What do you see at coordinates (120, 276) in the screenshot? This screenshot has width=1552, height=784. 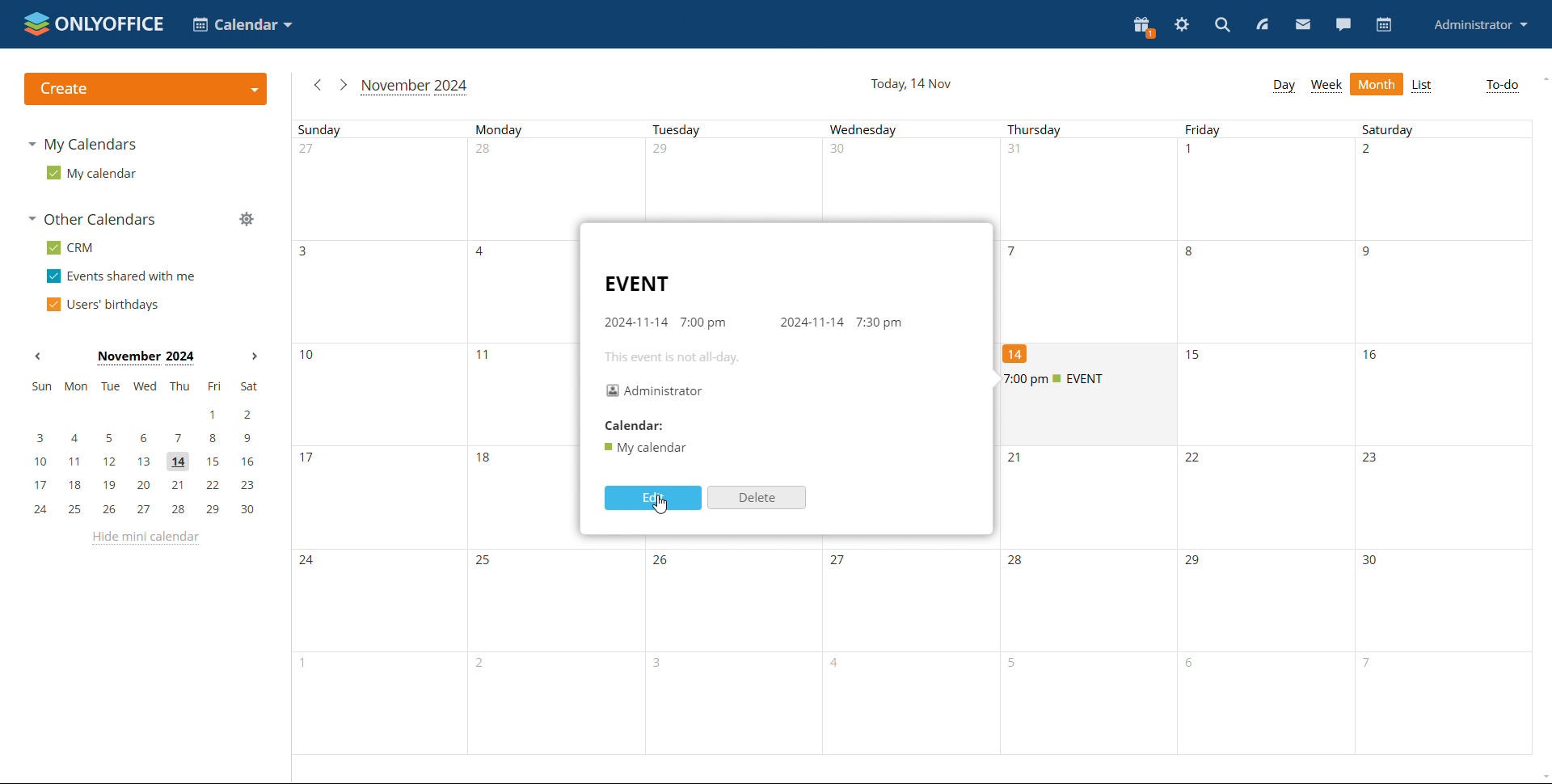 I see `events shared with me` at bounding box center [120, 276].